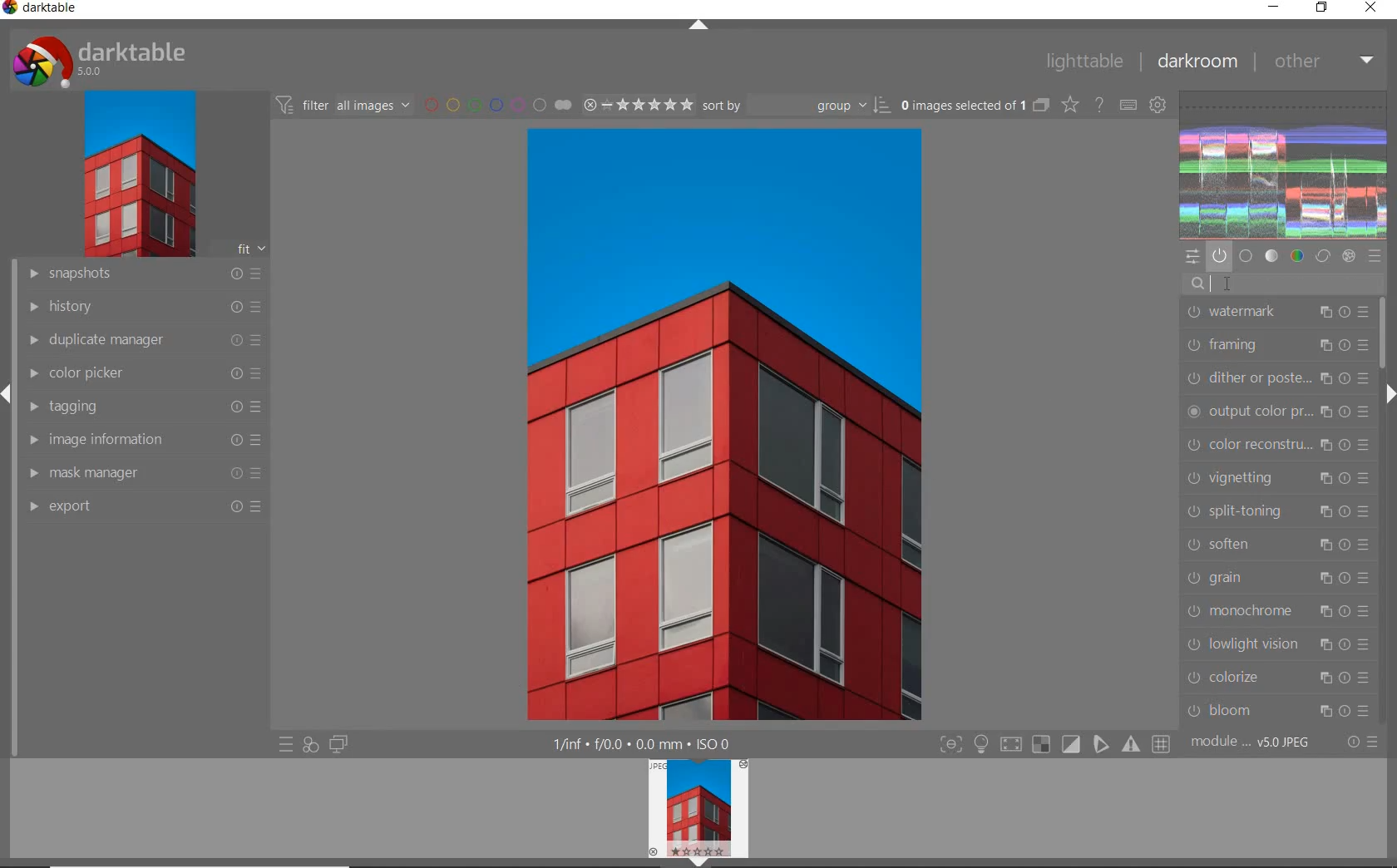 The image size is (1397, 868). What do you see at coordinates (1276, 446) in the screenshot?
I see `color reconstruction` at bounding box center [1276, 446].